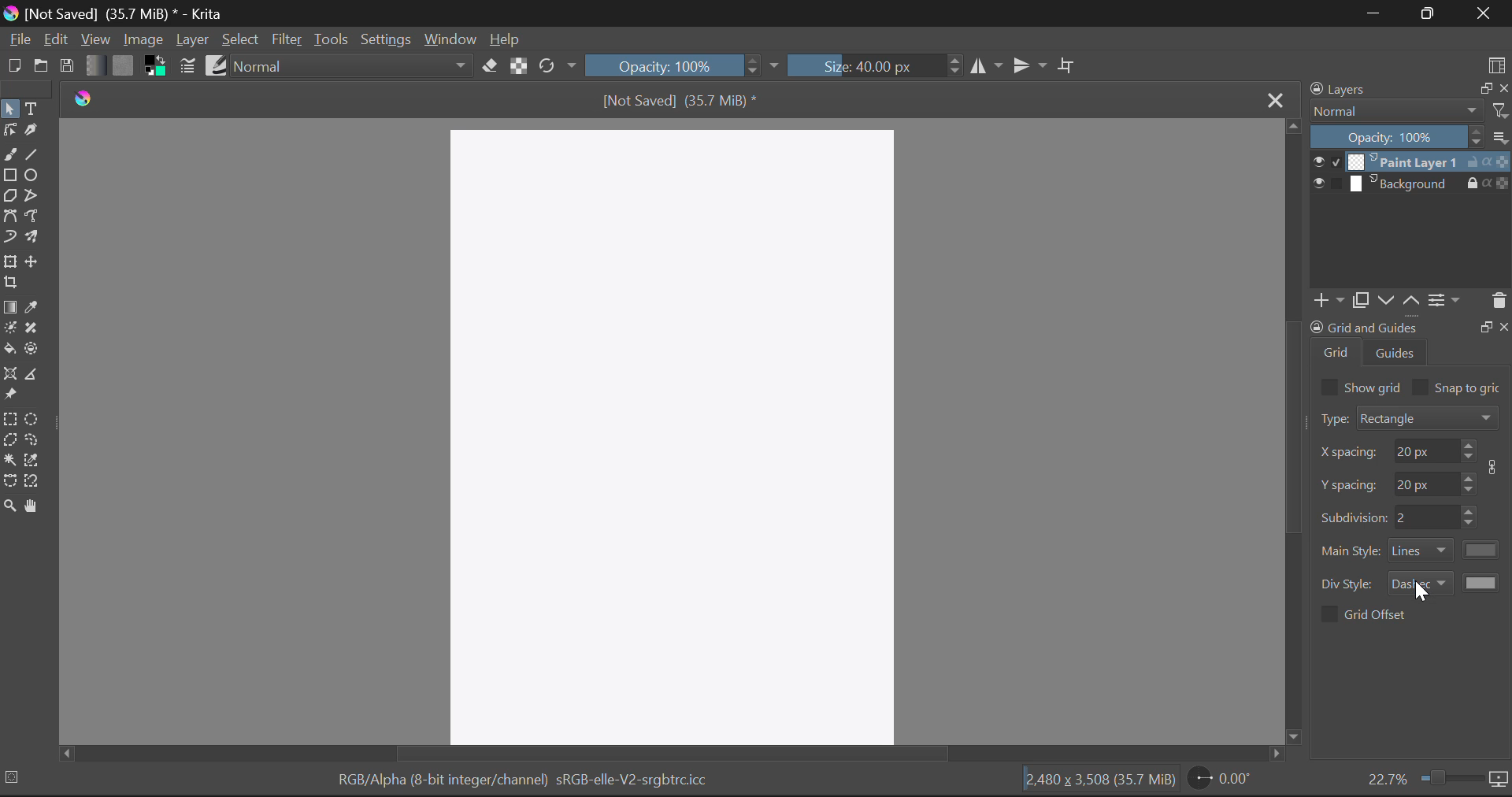  What do you see at coordinates (34, 109) in the screenshot?
I see `Text` at bounding box center [34, 109].